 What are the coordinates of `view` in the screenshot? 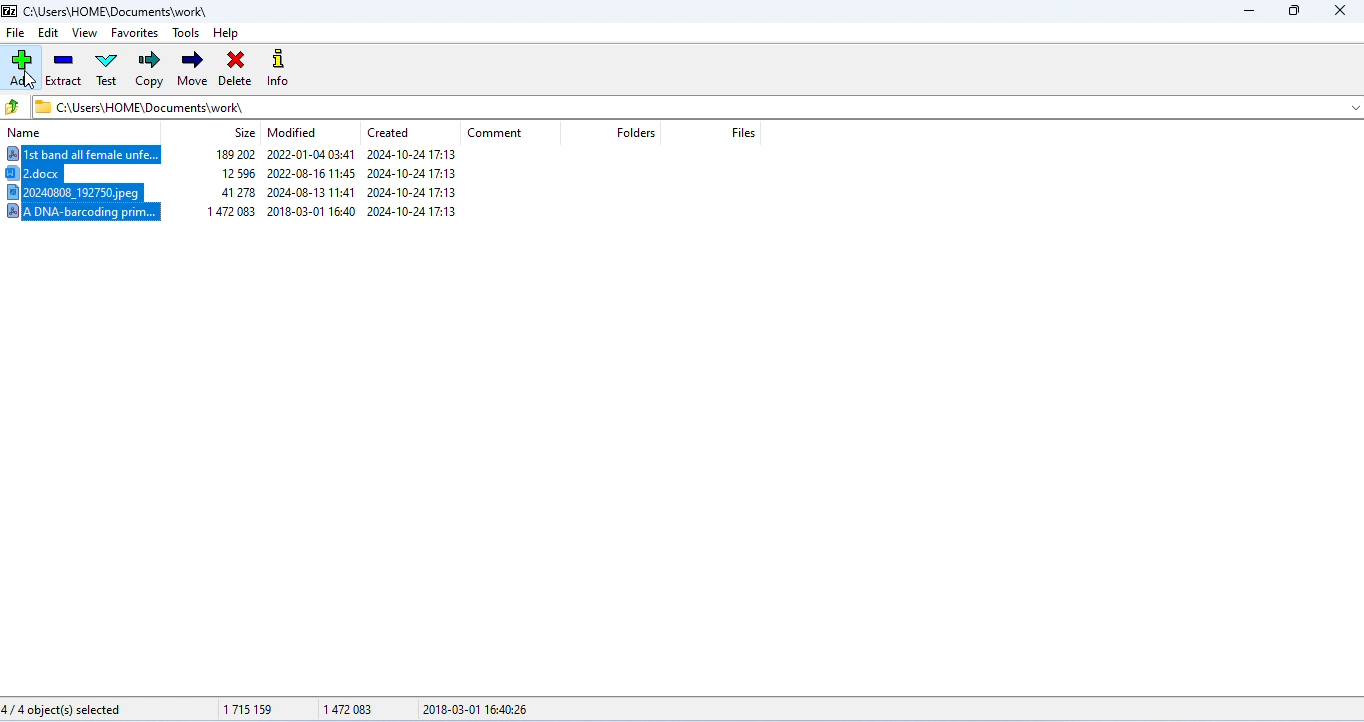 It's located at (84, 33).